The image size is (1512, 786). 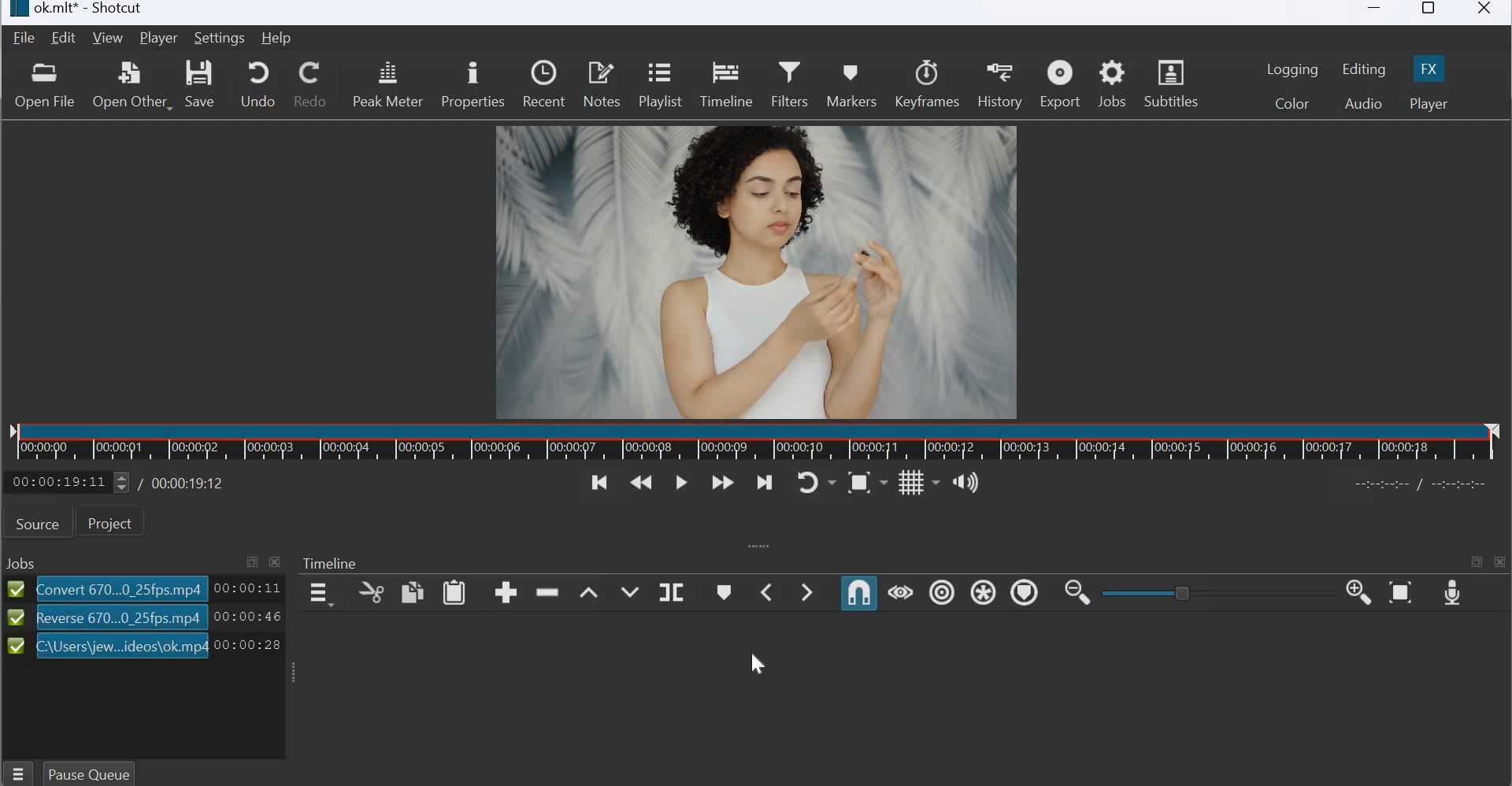 What do you see at coordinates (728, 83) in the screenshot?
I see `Timeline` at bounding box center [728, 83].